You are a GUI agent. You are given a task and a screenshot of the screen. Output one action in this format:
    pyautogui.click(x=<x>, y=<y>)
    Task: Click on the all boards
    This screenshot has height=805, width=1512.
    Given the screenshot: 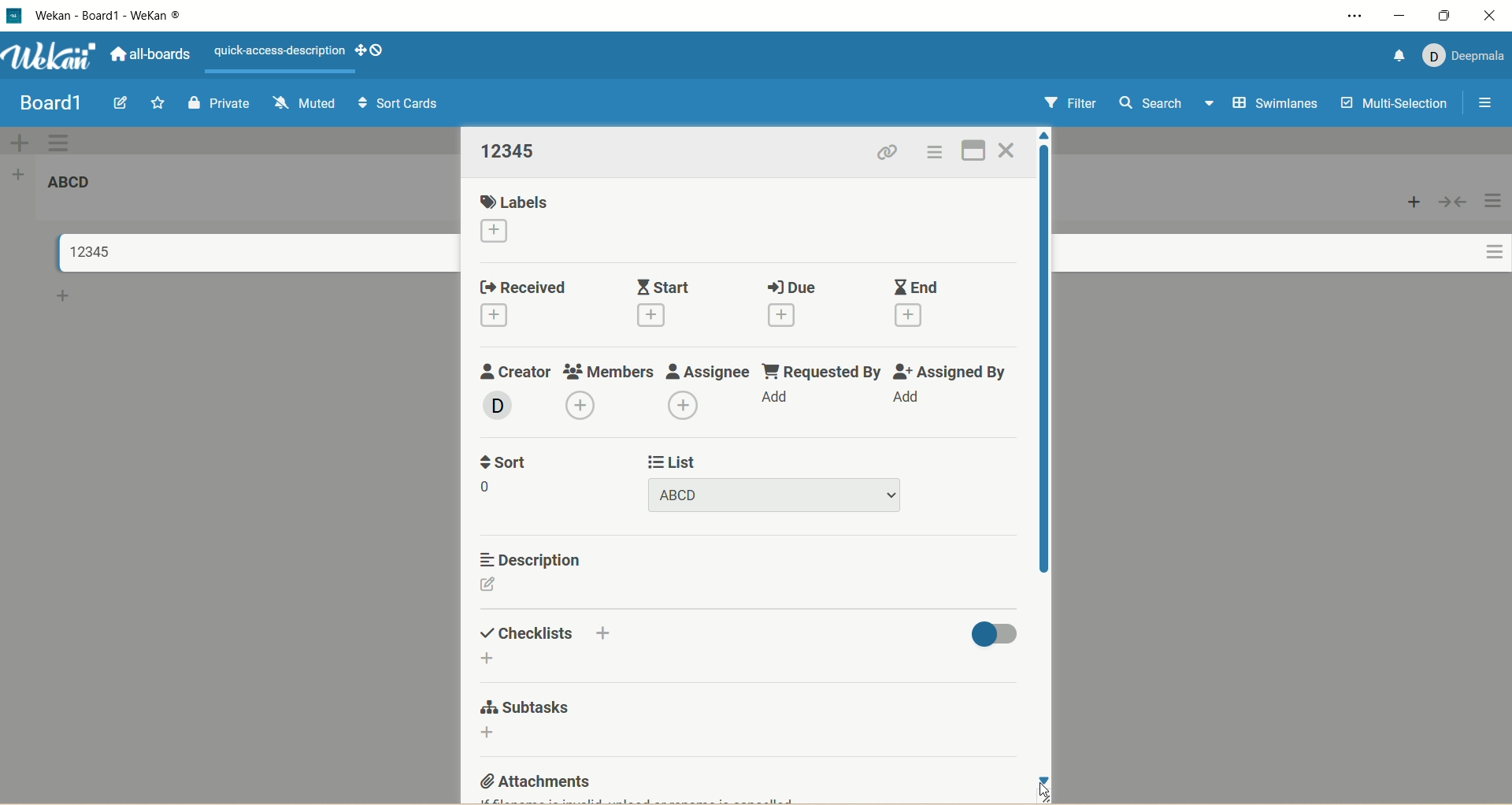 What is the action you would take?
    pyautogui.click(x=149, y=57)
    